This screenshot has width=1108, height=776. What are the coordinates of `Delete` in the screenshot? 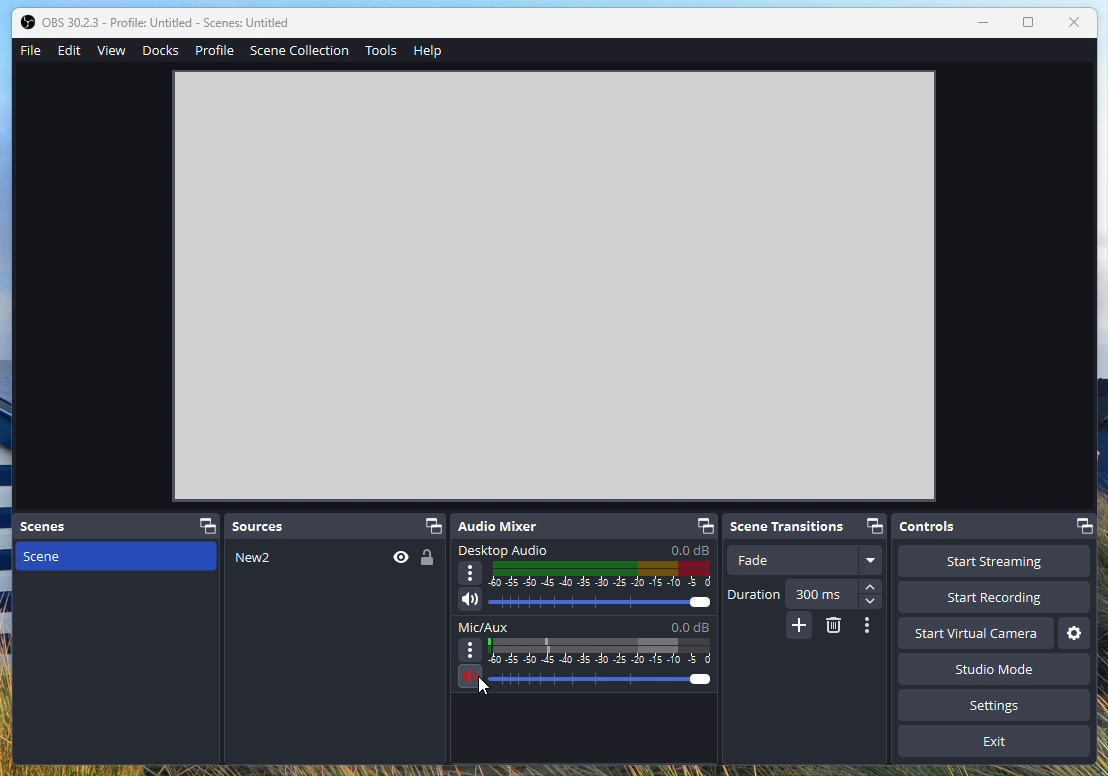 It's located at (834, 626).